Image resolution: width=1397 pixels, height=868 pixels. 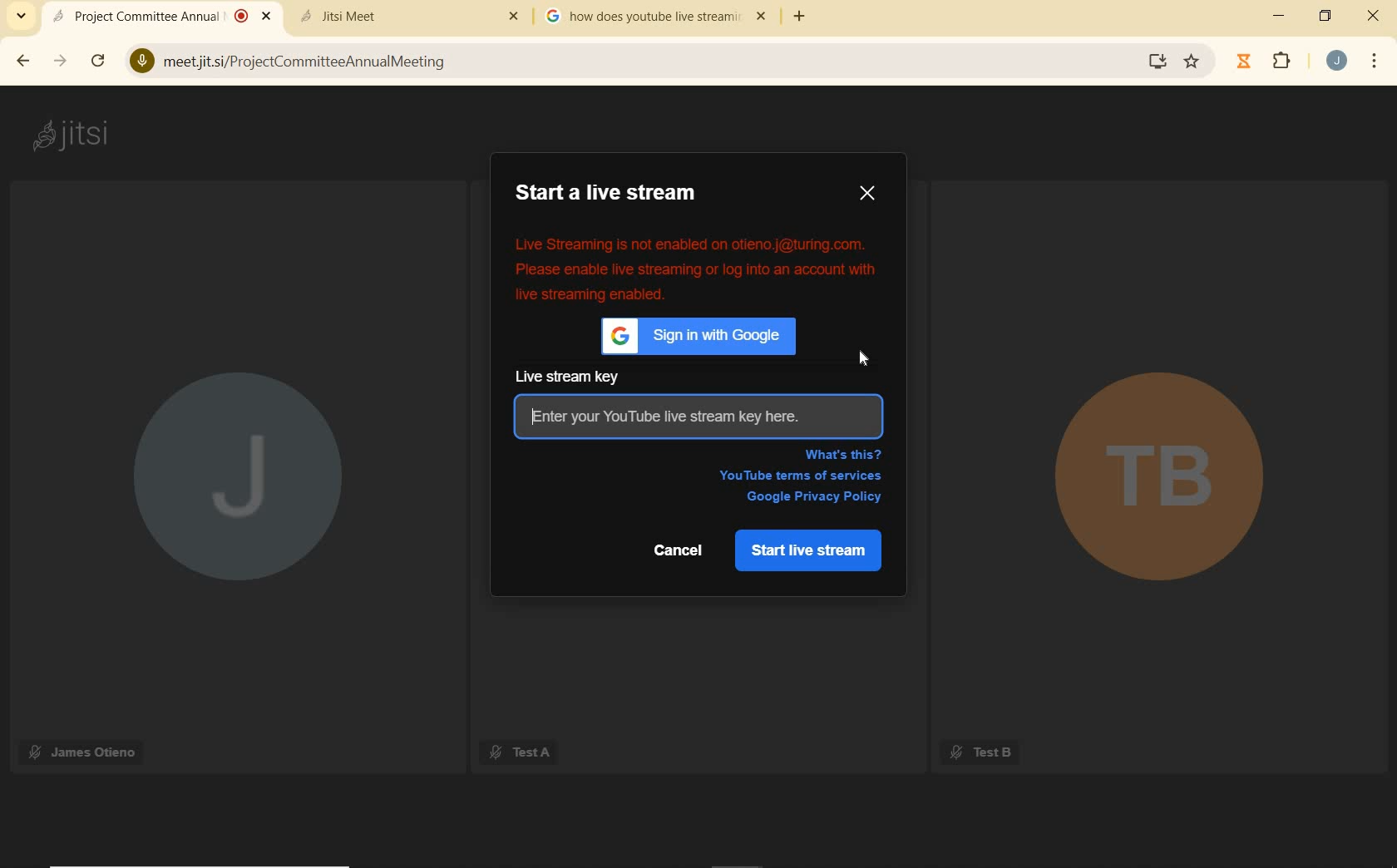 I want to click on Bookmark , so click(x=1192, y=62).